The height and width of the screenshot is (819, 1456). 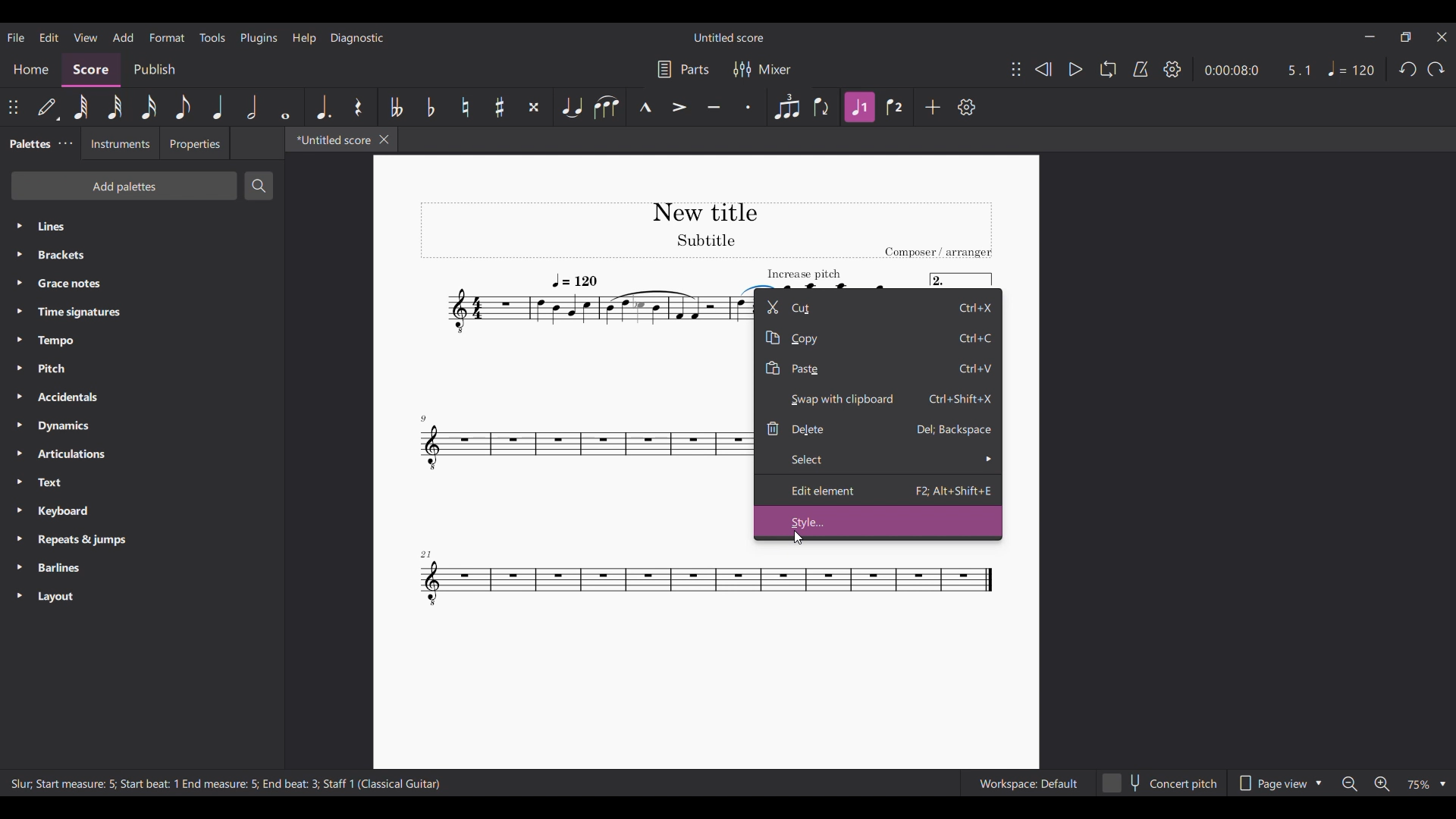 I want to click on Undo, so click(x=1407, y=69).